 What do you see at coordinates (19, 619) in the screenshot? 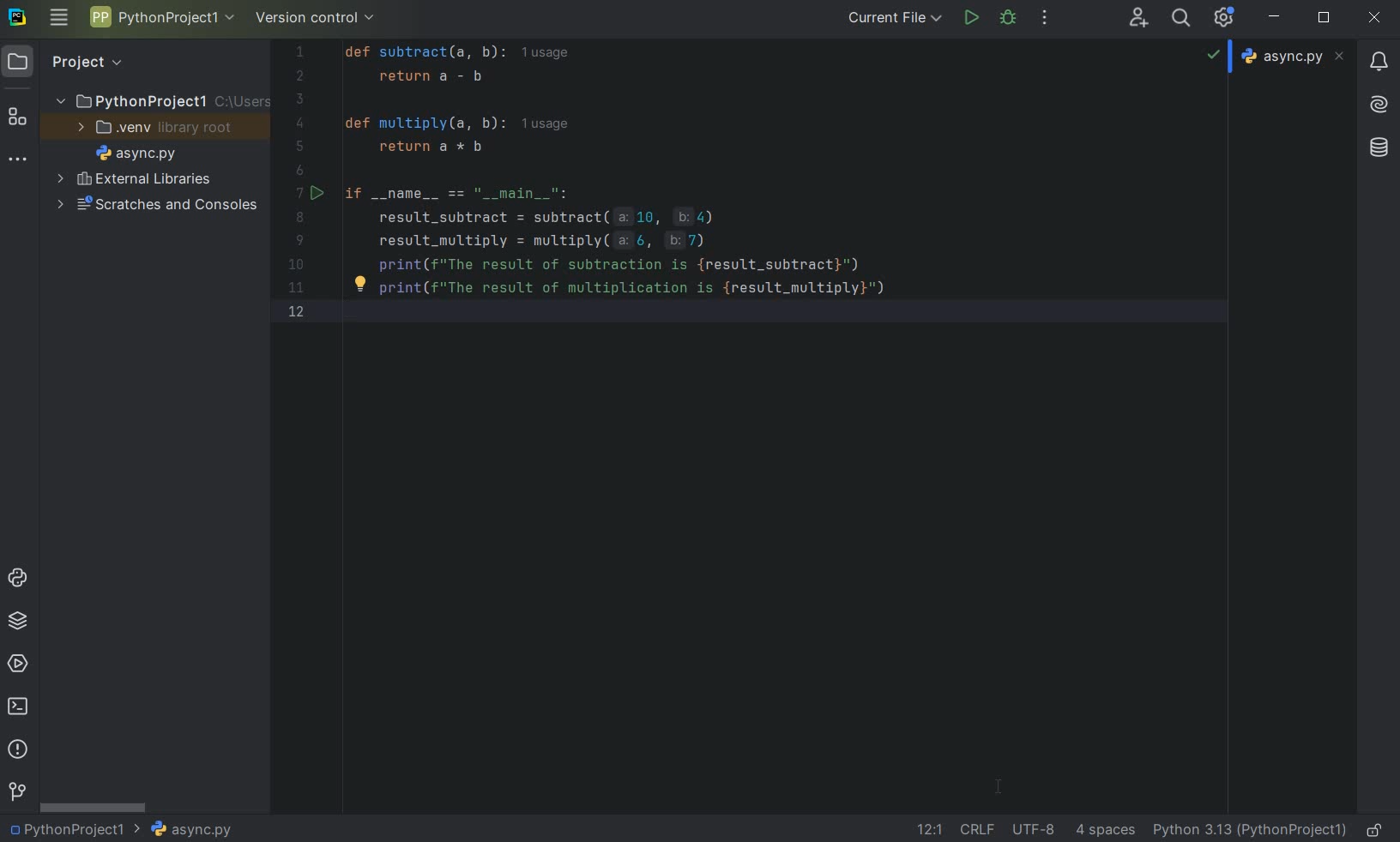
I see `python packages` at bounding box center [19, 619].